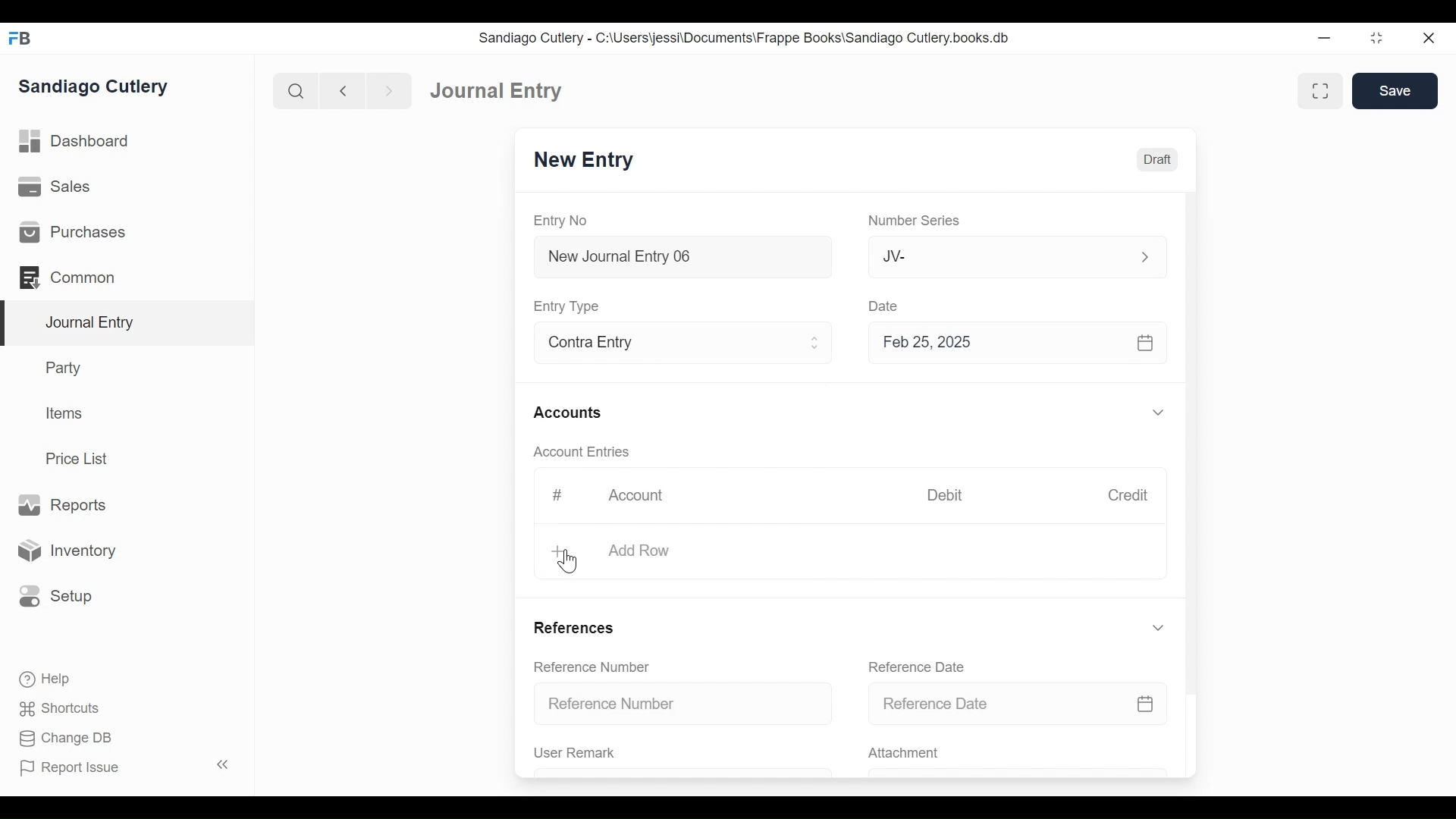 The height and width of the screenshot is (819, 1456). I want to click on New Journal Entry 06, so click(680, 259).